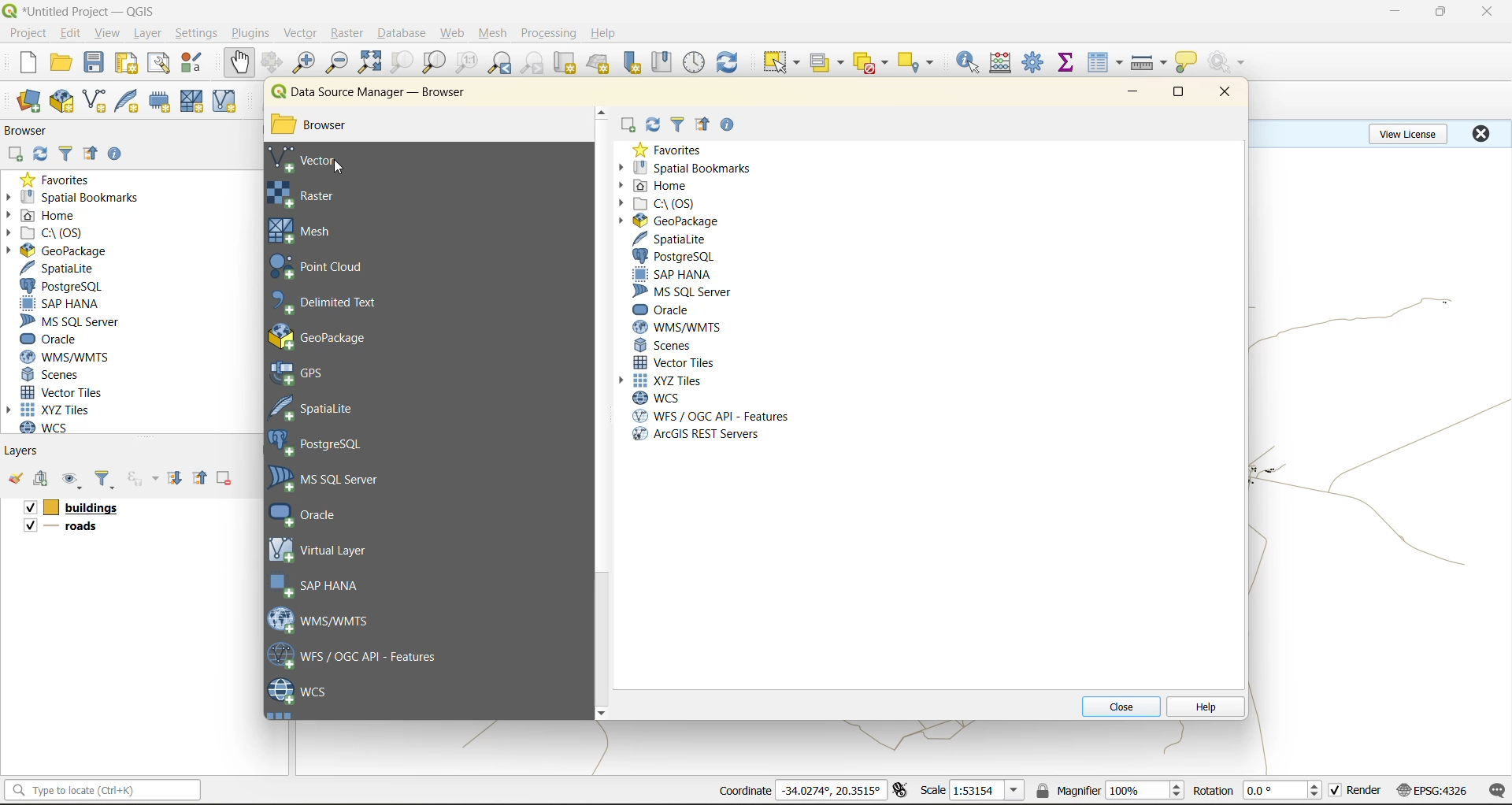 The width and height of the screenshot is (1512, 805). What do you see at coordinates (175, 478) in the screenshot?
I see `expand all` at bounding box center [175, 478].